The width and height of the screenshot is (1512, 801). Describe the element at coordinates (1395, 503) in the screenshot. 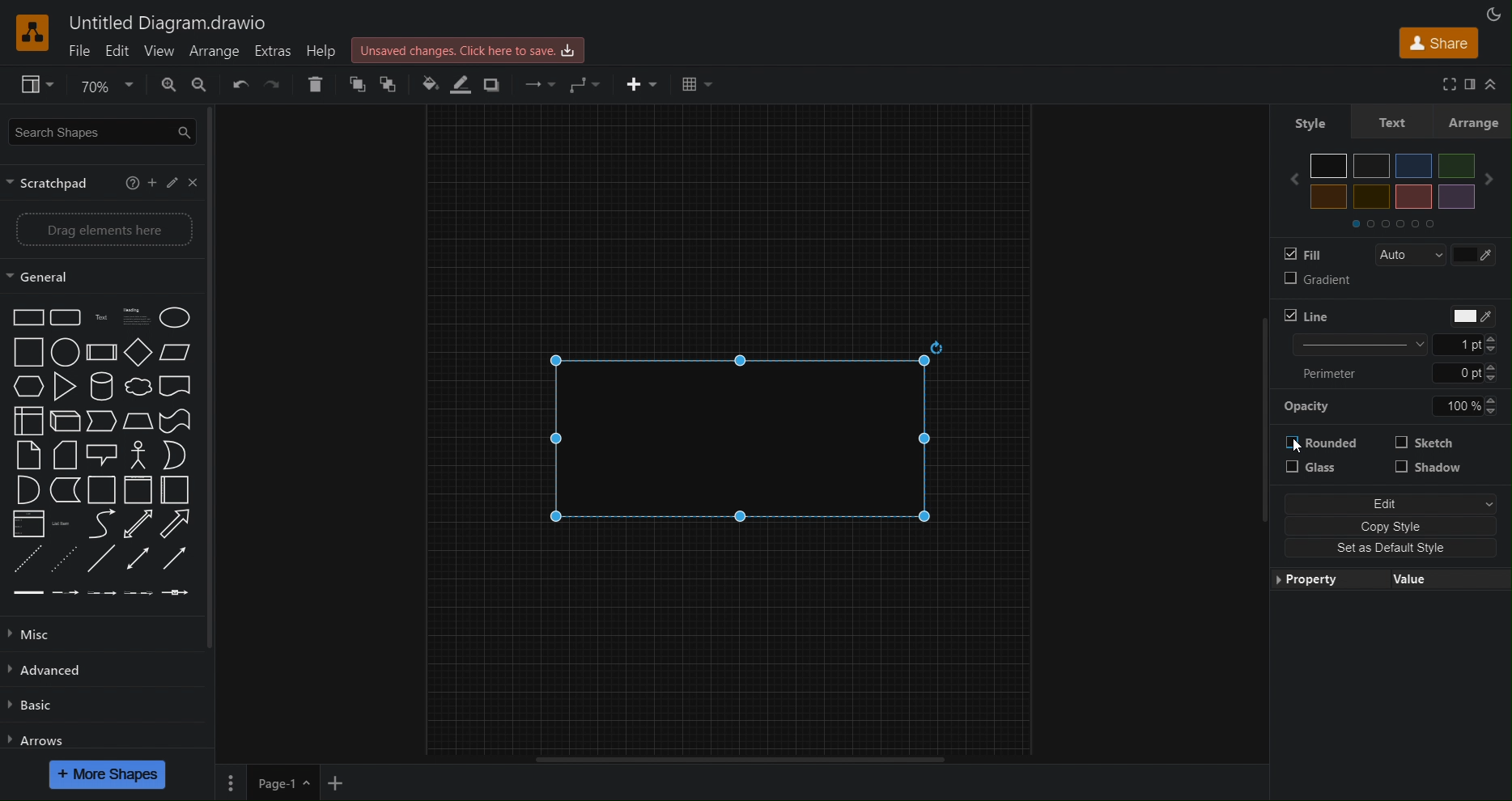

I see `Edit` at that location.